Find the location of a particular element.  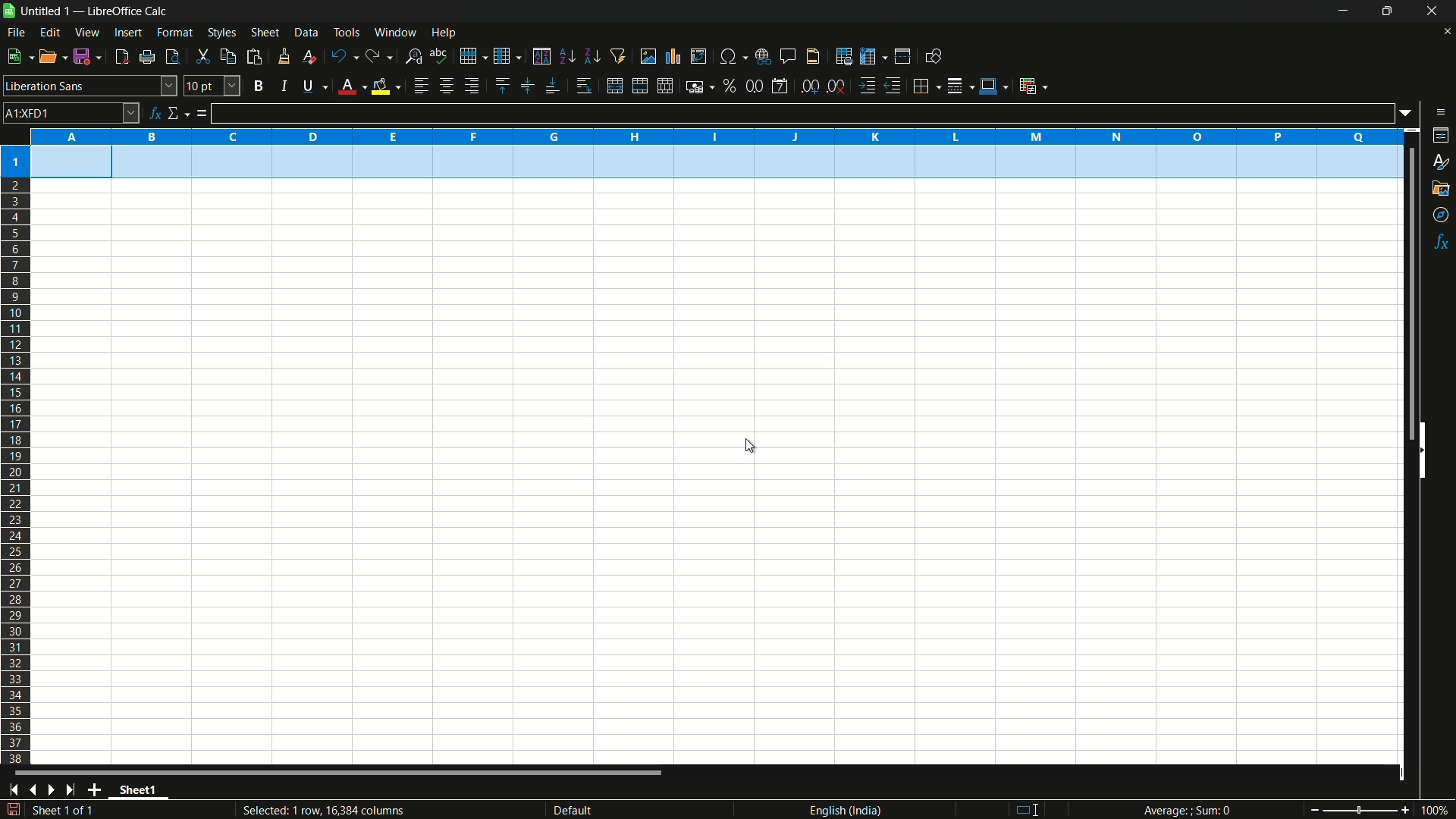

increase indentation is located at coordinates (868, 86).